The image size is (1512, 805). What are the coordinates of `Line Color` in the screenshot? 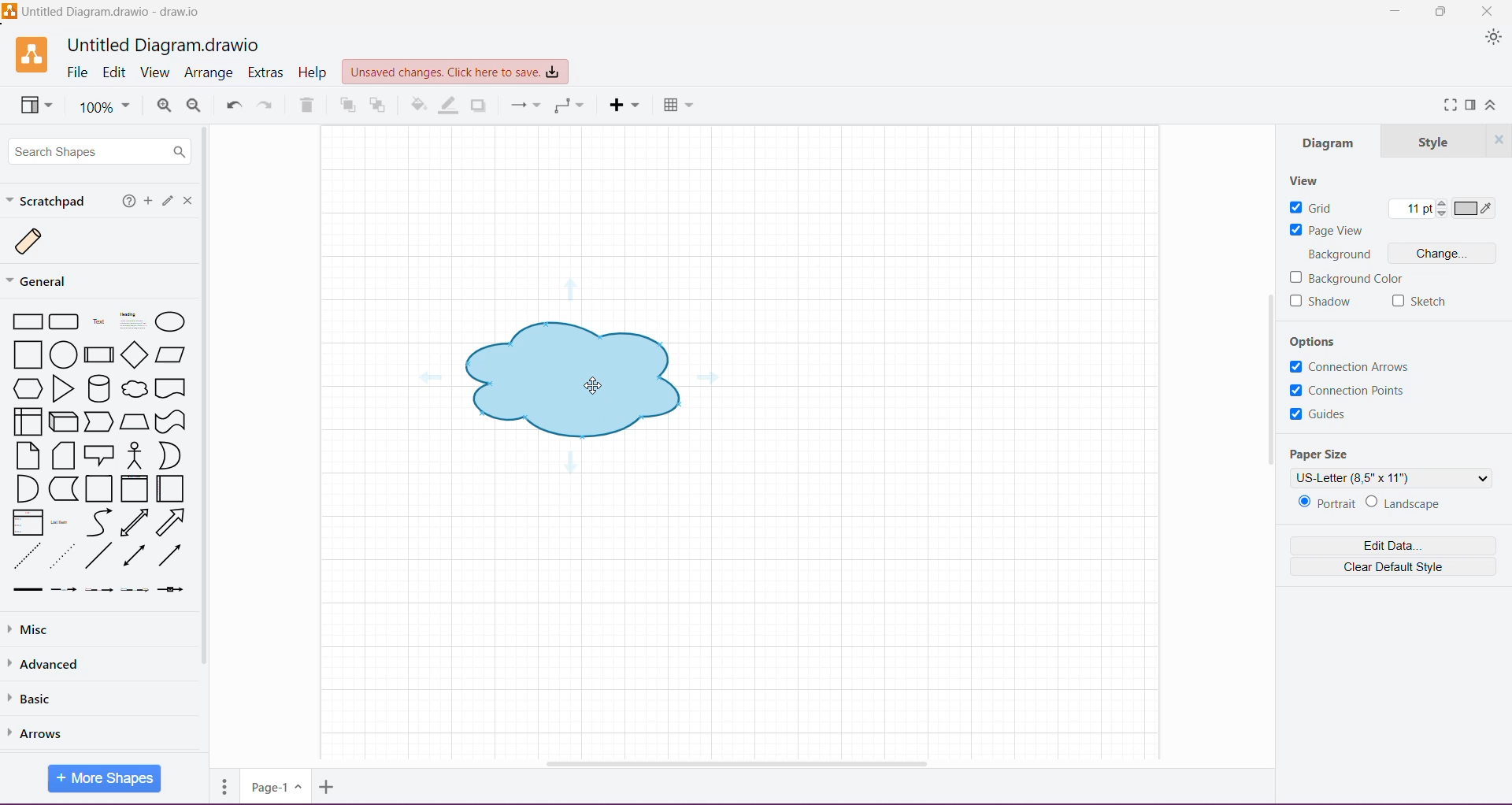 It's located at (449, 106).